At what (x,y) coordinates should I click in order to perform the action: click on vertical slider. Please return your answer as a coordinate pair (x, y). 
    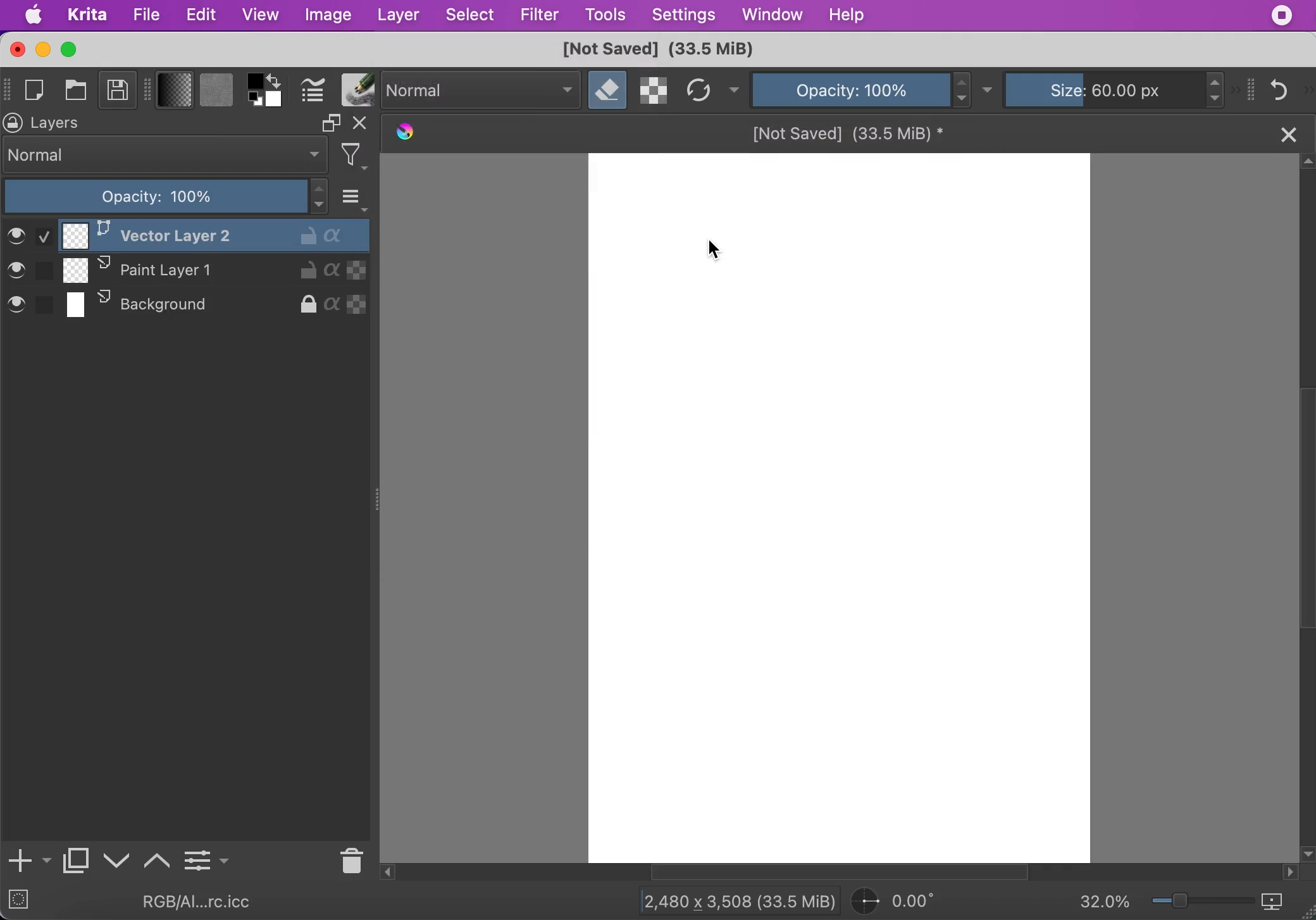
    Looking at the image, I should click on (1305, 451).